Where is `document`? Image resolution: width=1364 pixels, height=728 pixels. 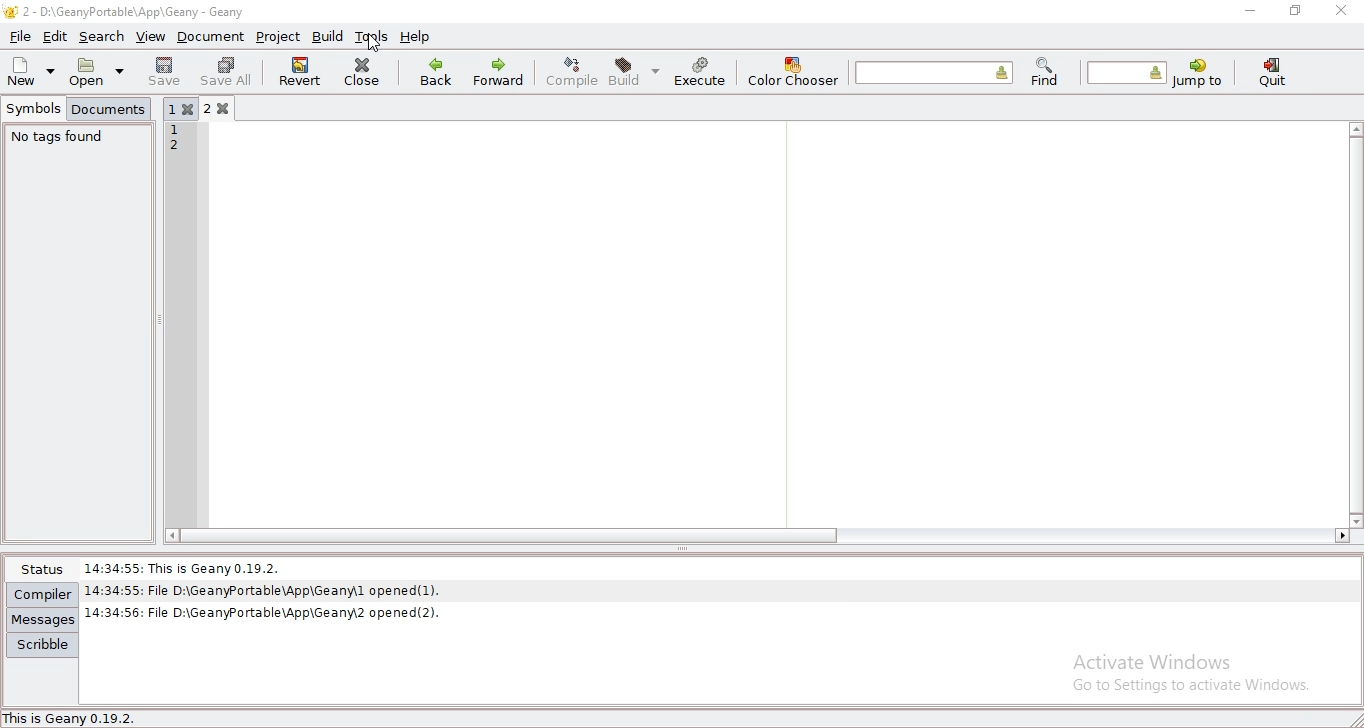
document is located at coordinates (211, 37).